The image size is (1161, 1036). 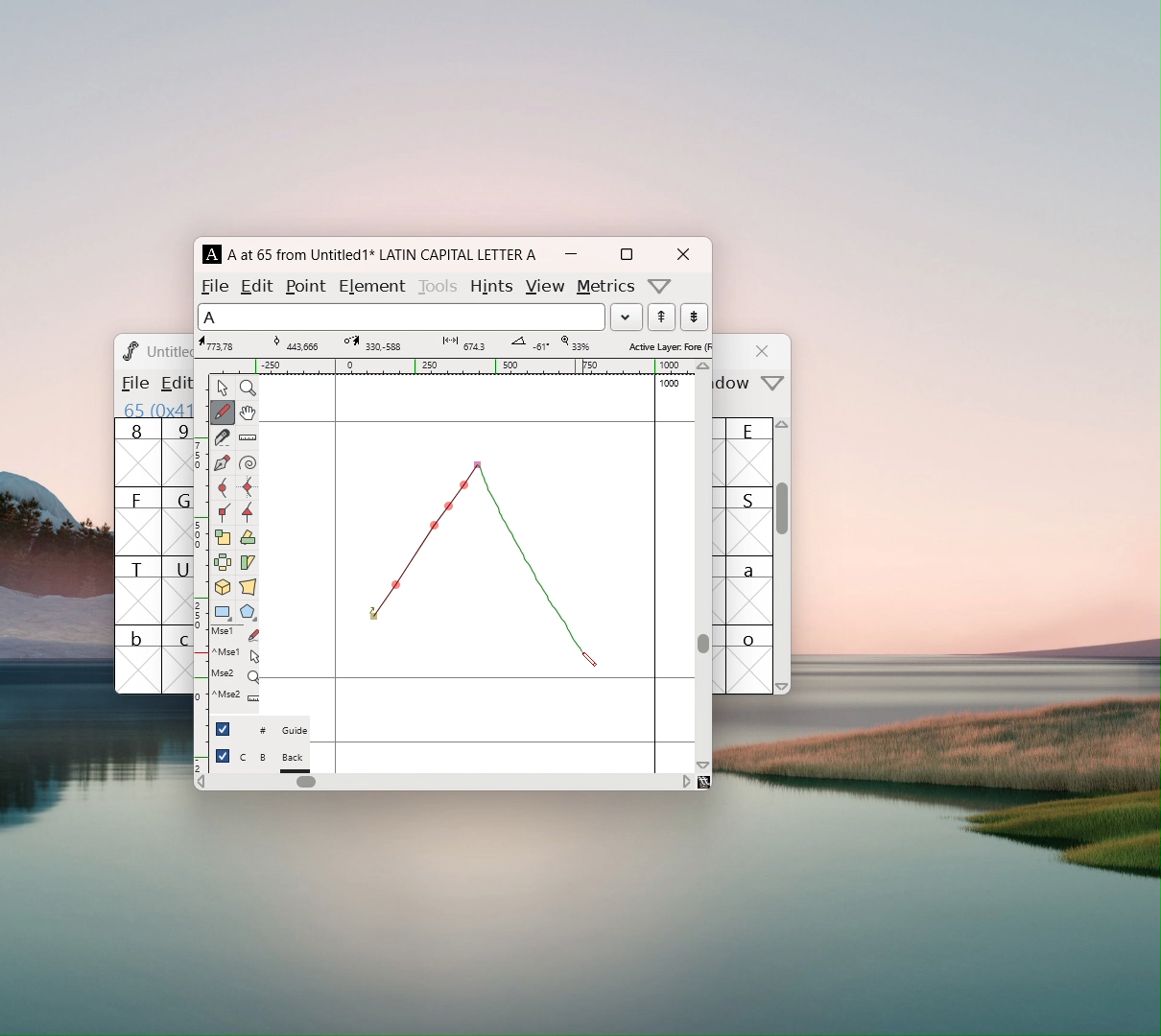 What do you see at coordinates (223, 756) in the screenshot?
I see `checkbox` at bounding box center [223, 756].